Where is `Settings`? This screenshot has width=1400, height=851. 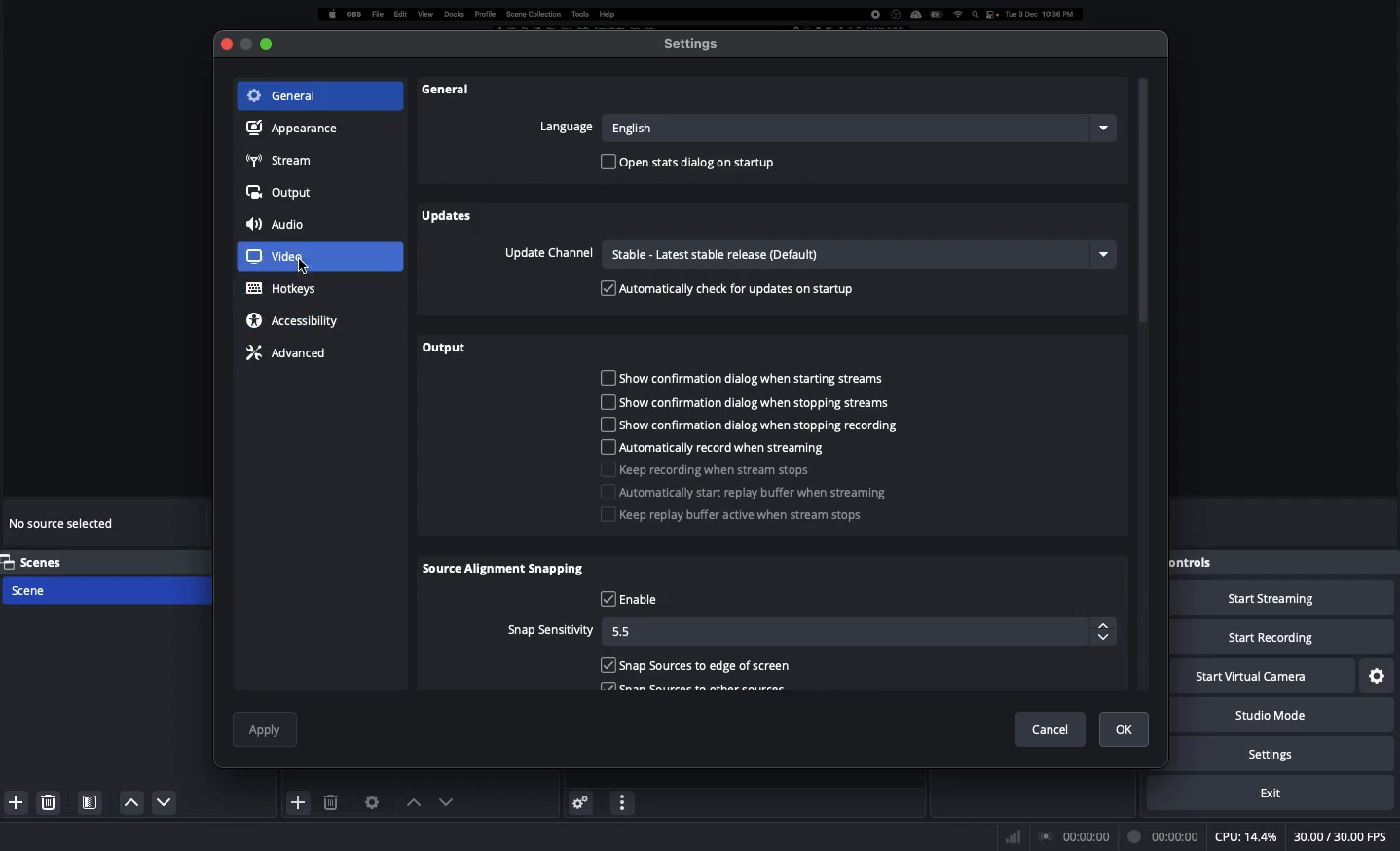
Settings is located at coordinates (1379, 674).